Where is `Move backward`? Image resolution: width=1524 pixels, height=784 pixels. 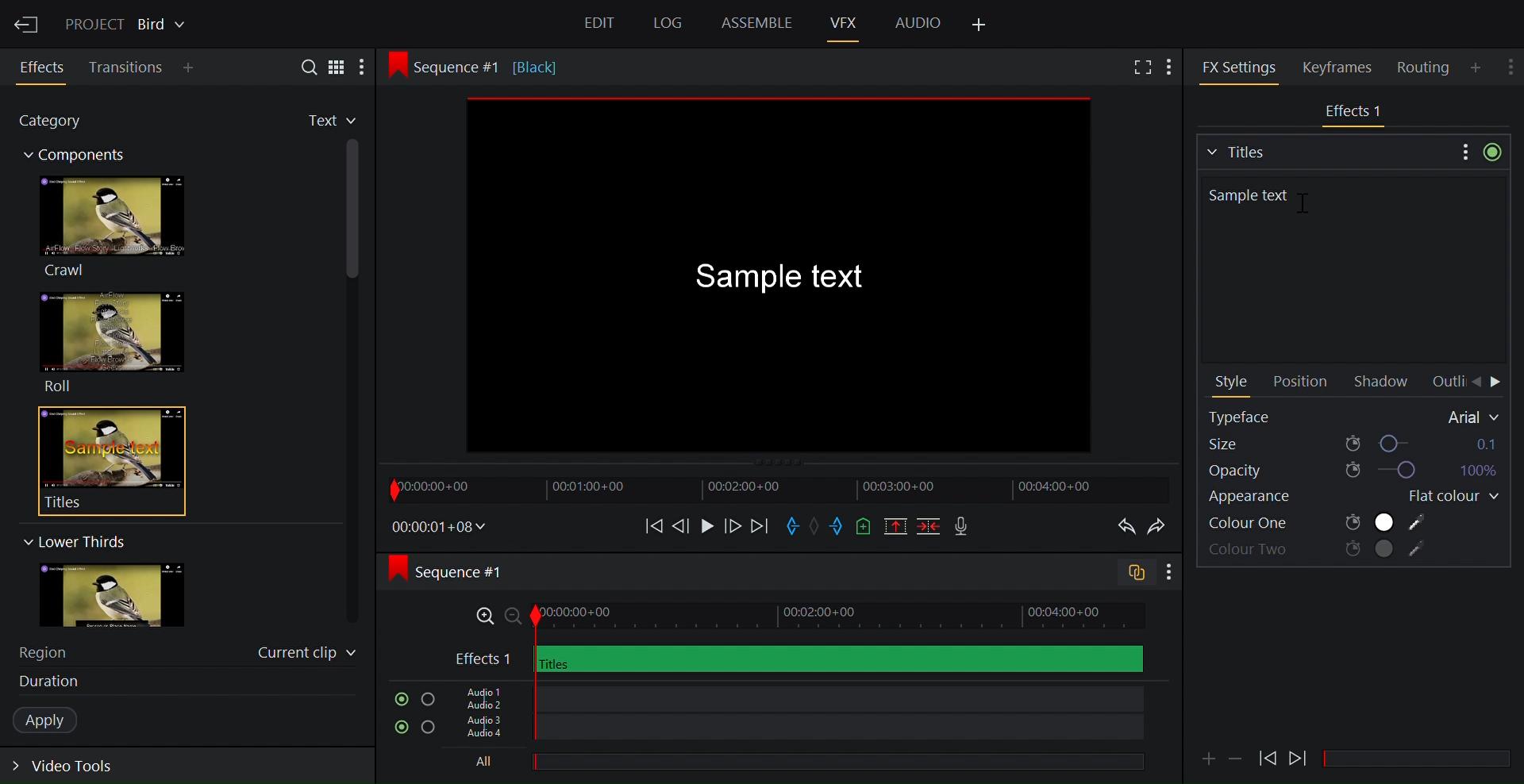 Move backward is located at coordinates (648, 525).